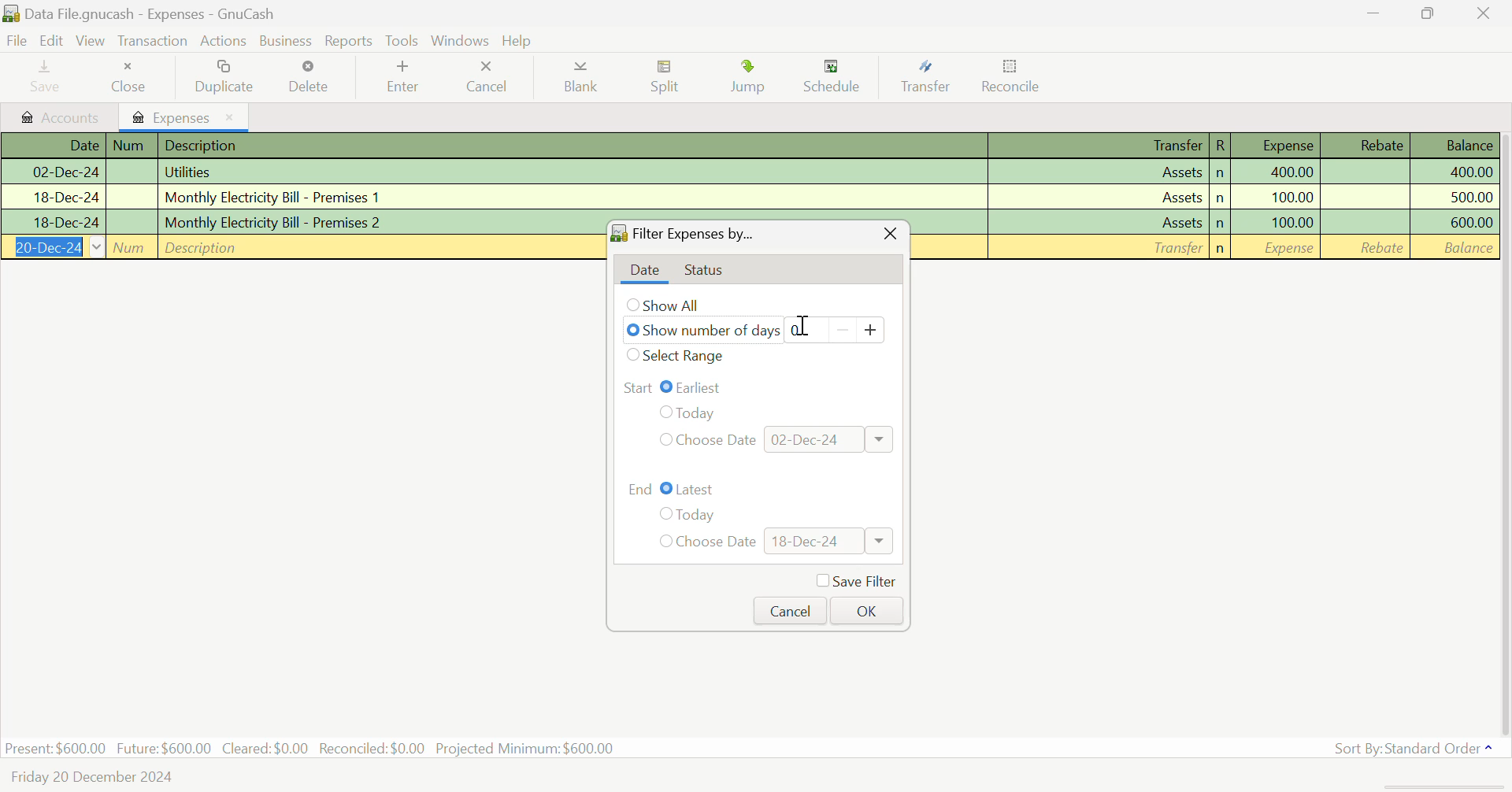  I want to click on Choose Date: 02-Dec-24, so click(773, 440).